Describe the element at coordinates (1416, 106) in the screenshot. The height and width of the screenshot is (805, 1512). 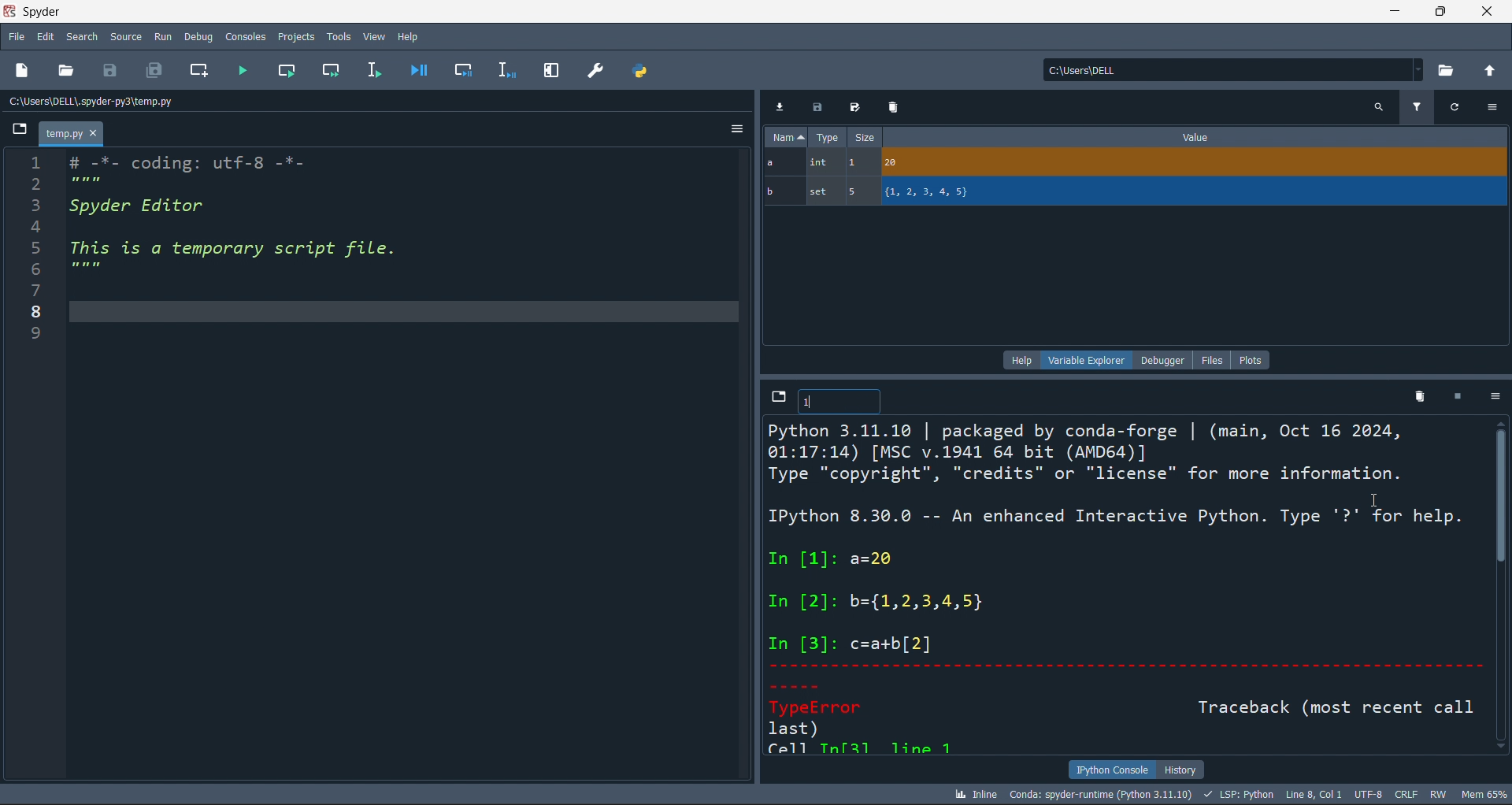
I see `filter` at that location.